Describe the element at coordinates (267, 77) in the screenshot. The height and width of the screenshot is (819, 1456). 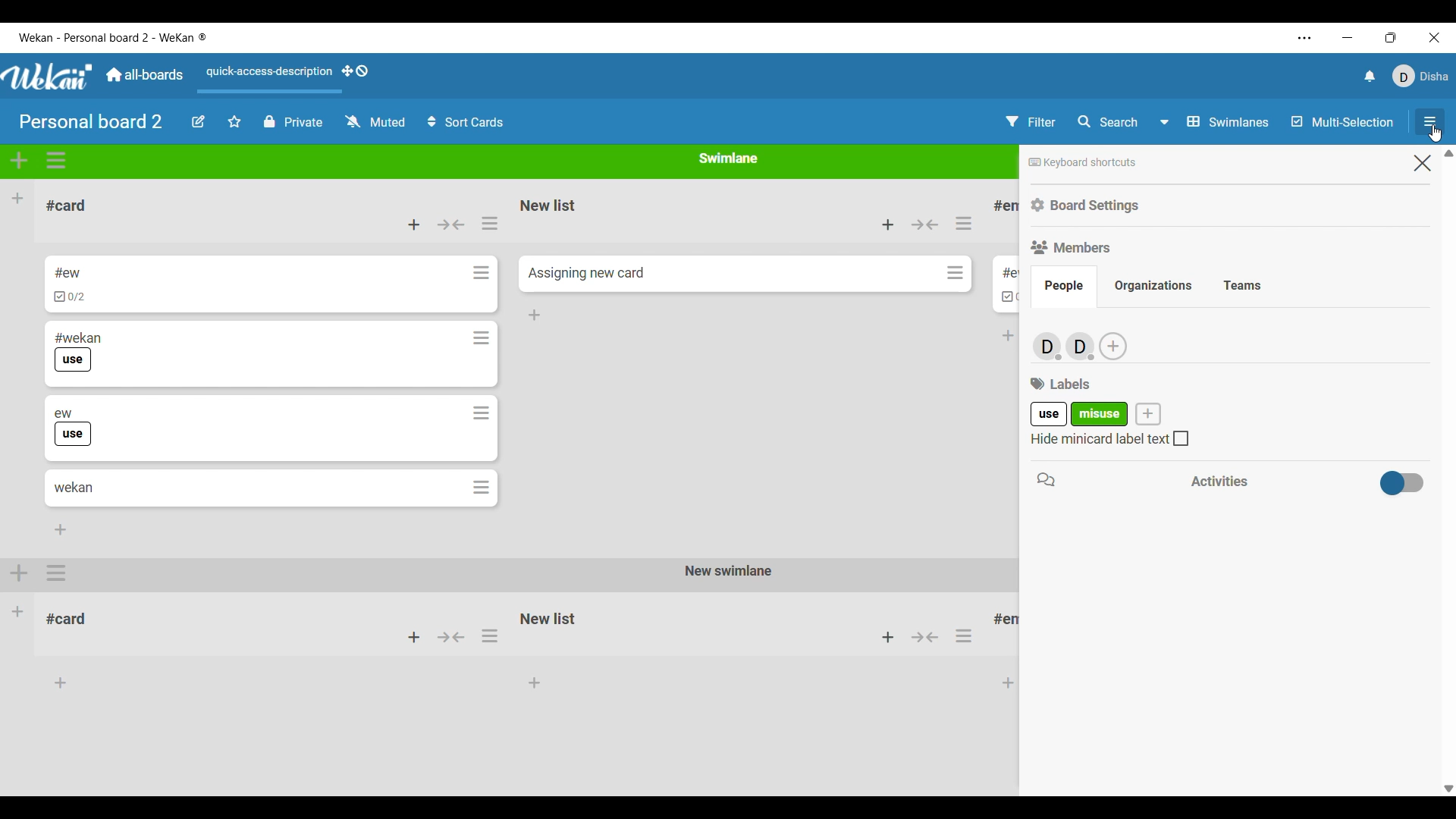
I see `Quick access description` at that location.